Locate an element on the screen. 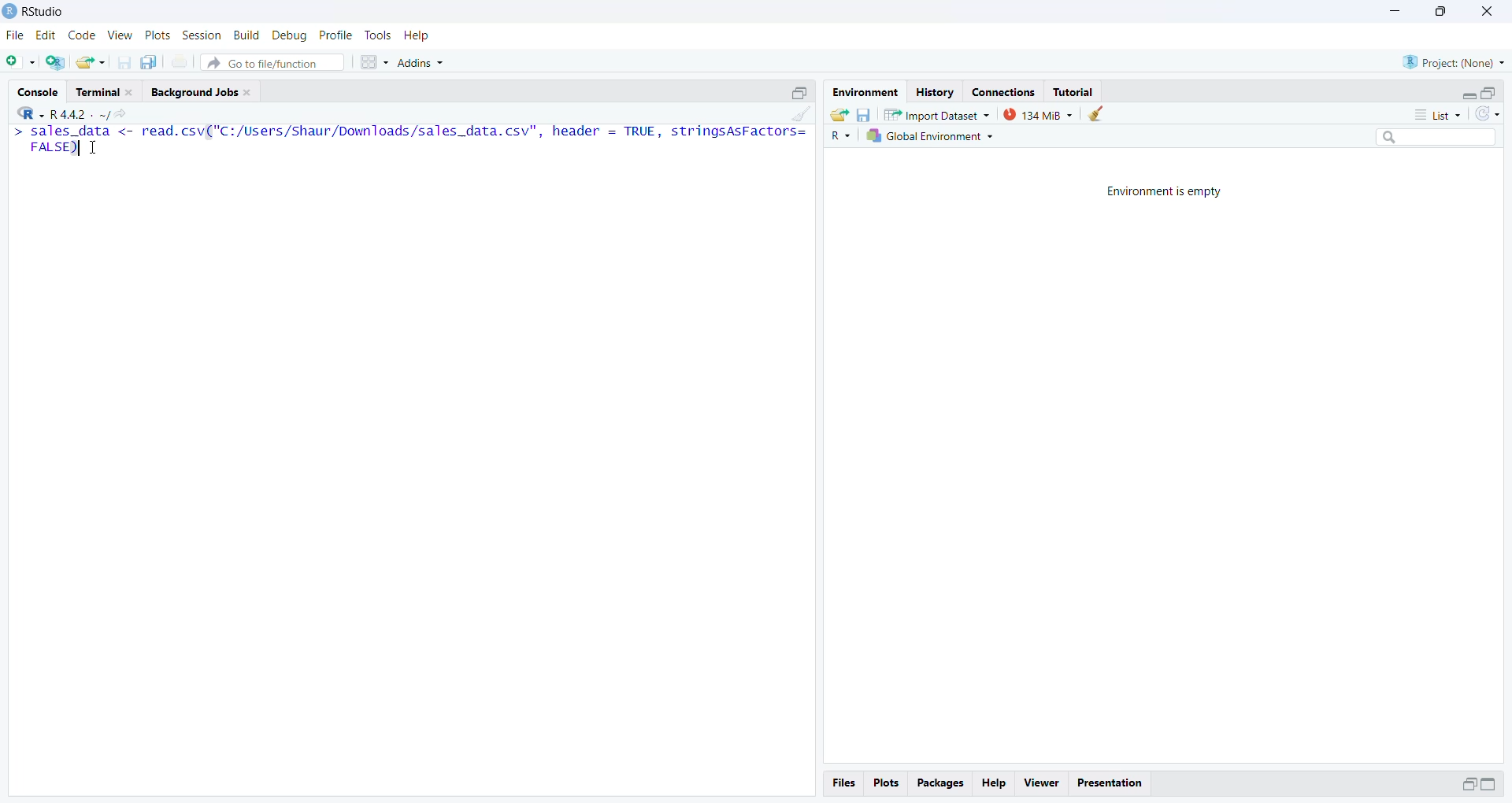  Session is located at coordinates (202, 34).